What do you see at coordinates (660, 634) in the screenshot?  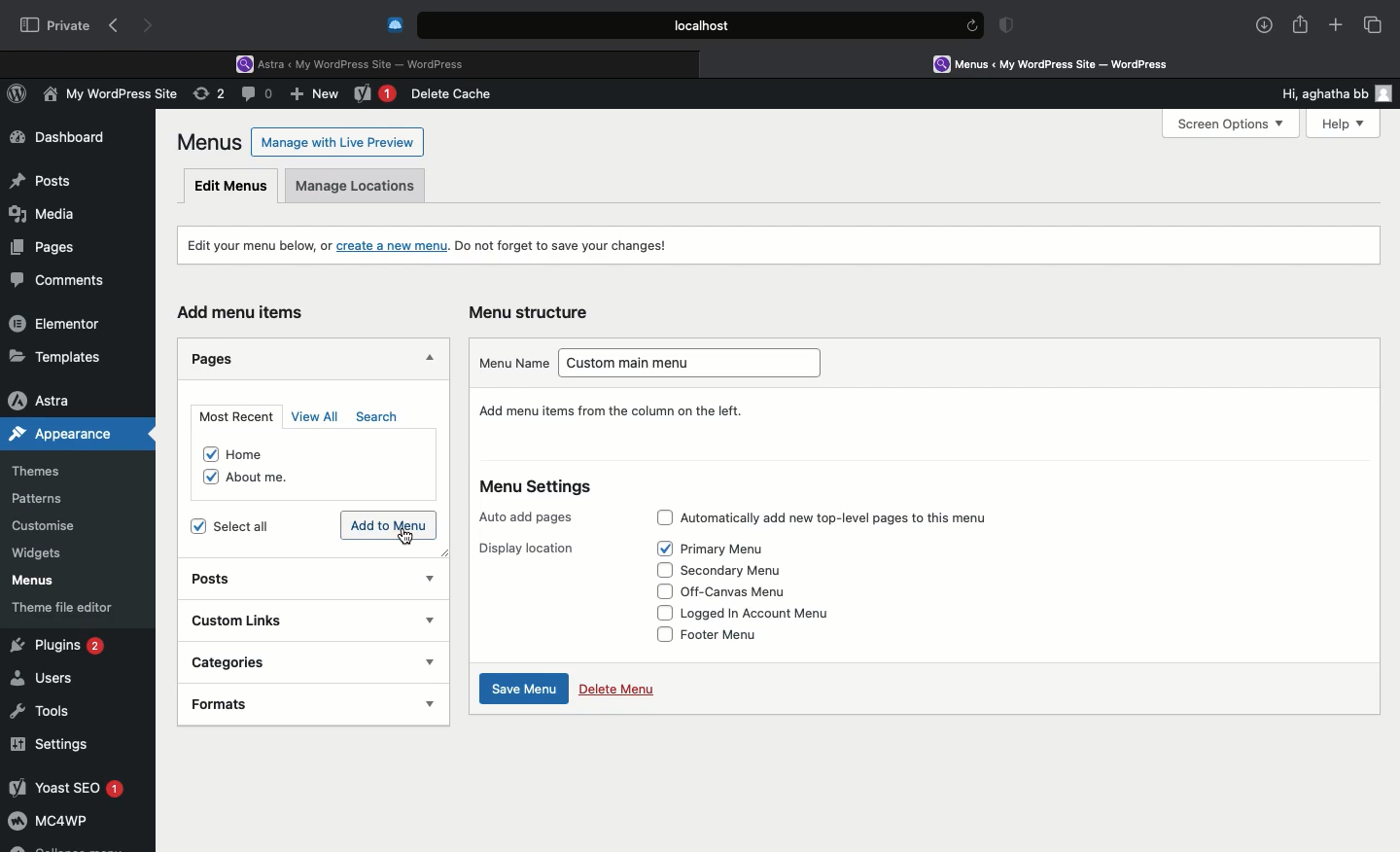 I see `Check box` at bounding box center [660, 634].